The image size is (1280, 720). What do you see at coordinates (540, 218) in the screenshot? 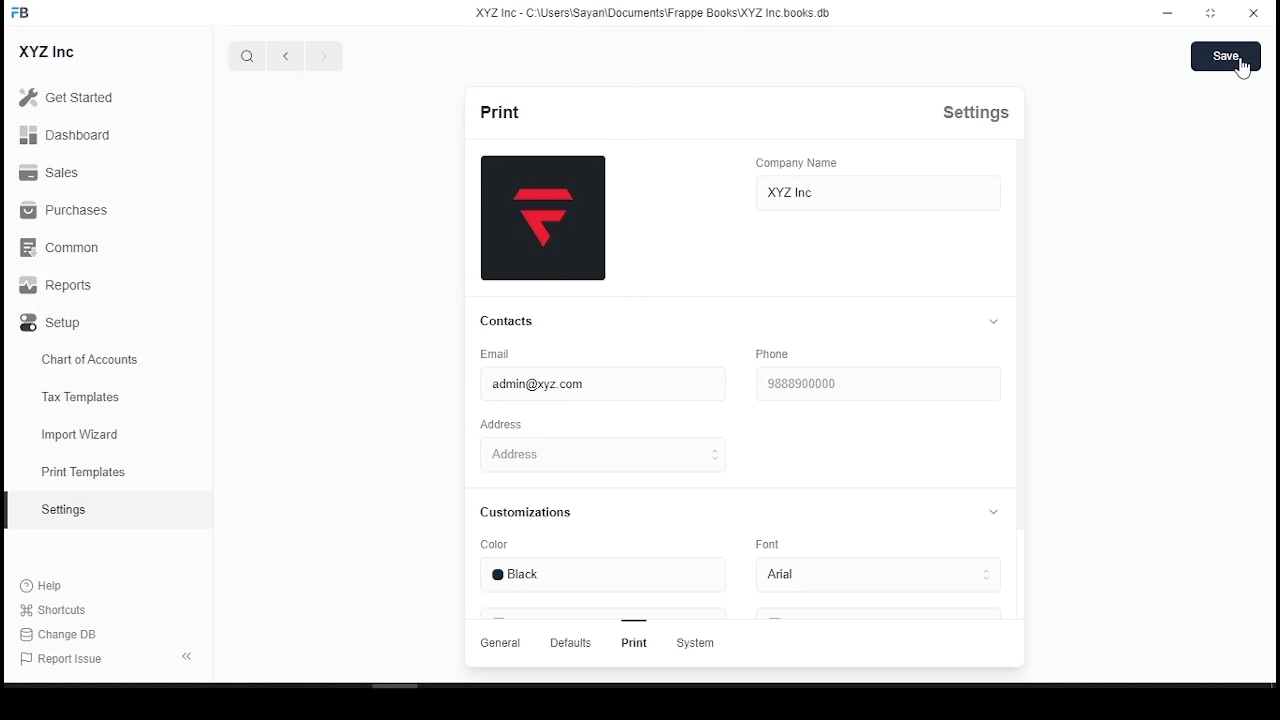
I see `logo thumbnail` at bounding box center [540, 218].